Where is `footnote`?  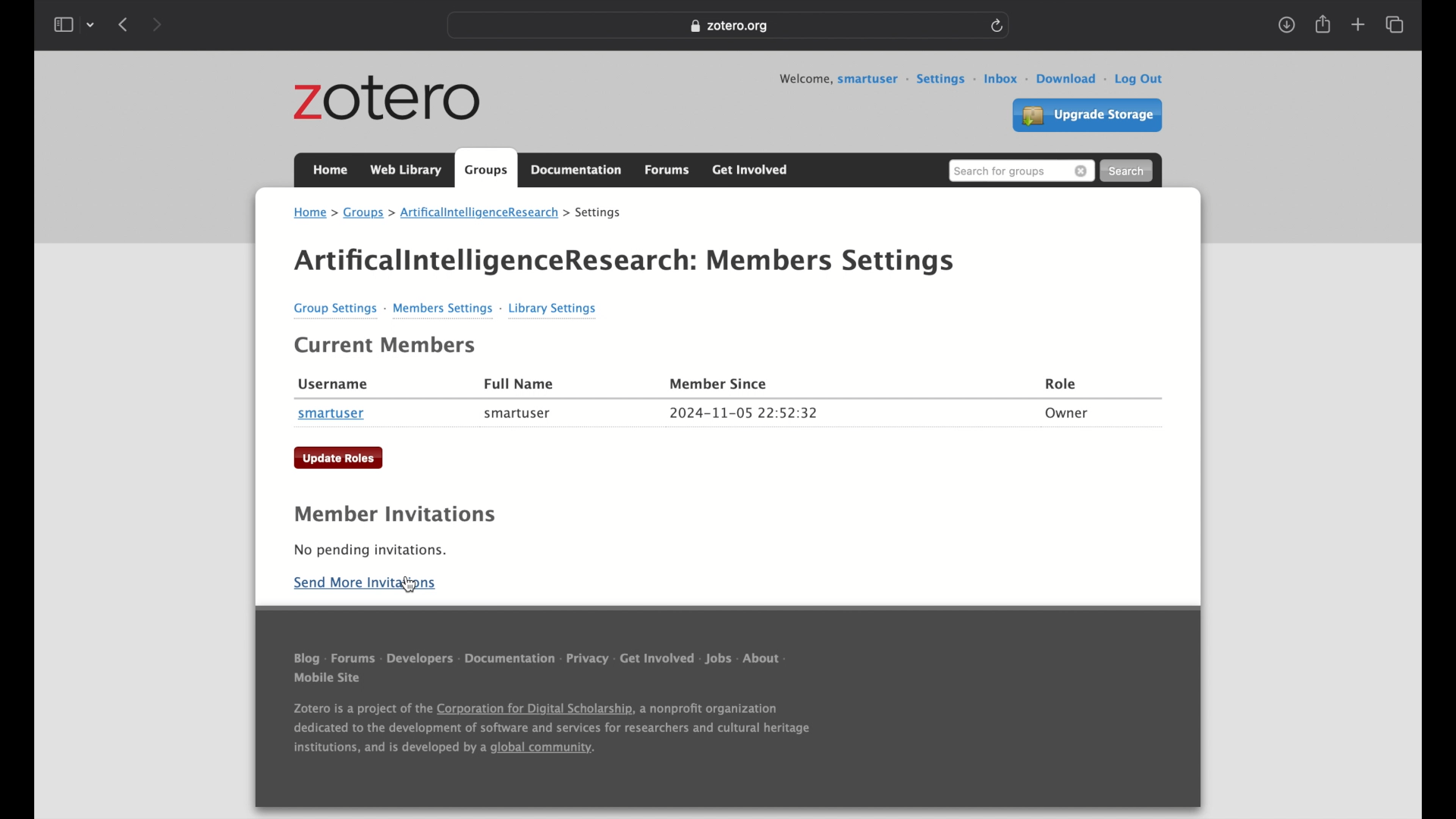
footnote is located at coordinates (555, 730).